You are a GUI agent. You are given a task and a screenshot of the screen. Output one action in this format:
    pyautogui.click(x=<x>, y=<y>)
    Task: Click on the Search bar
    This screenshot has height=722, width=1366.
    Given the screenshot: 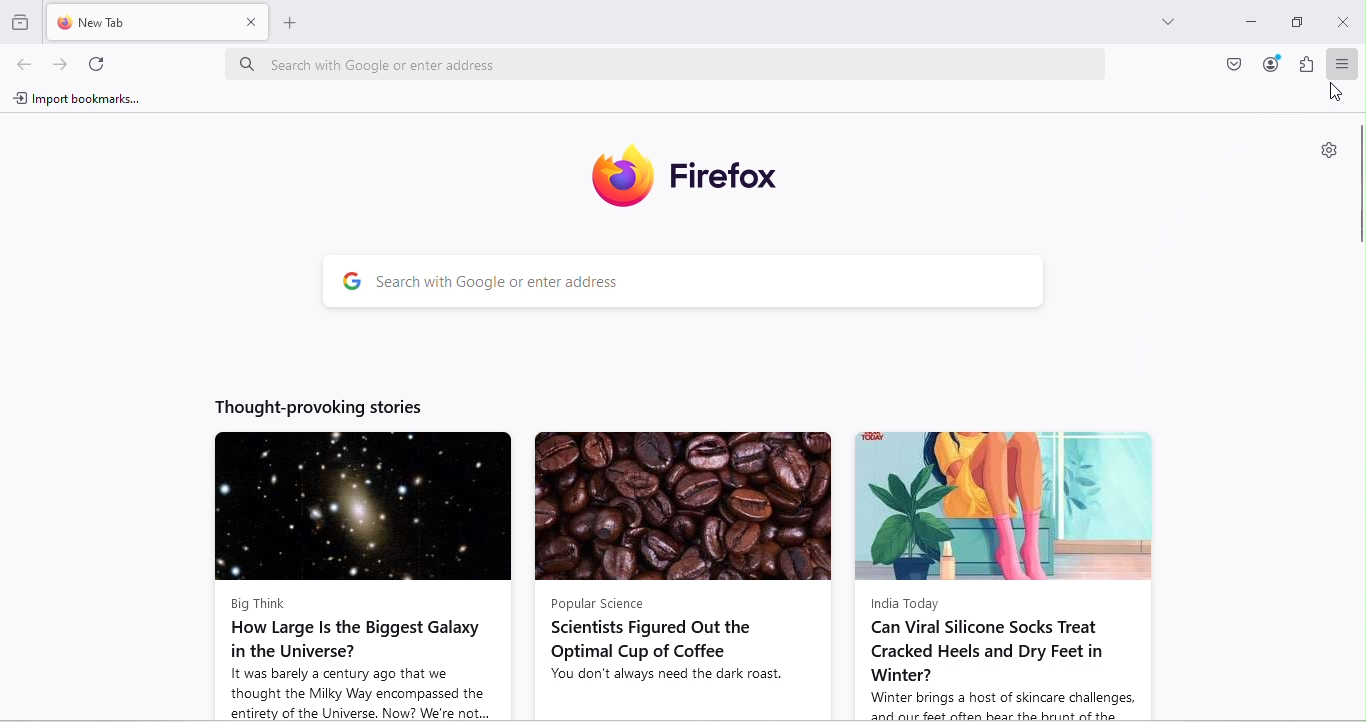 What is the action you would take?
    pyautogui.click(x=678, y=284)
    